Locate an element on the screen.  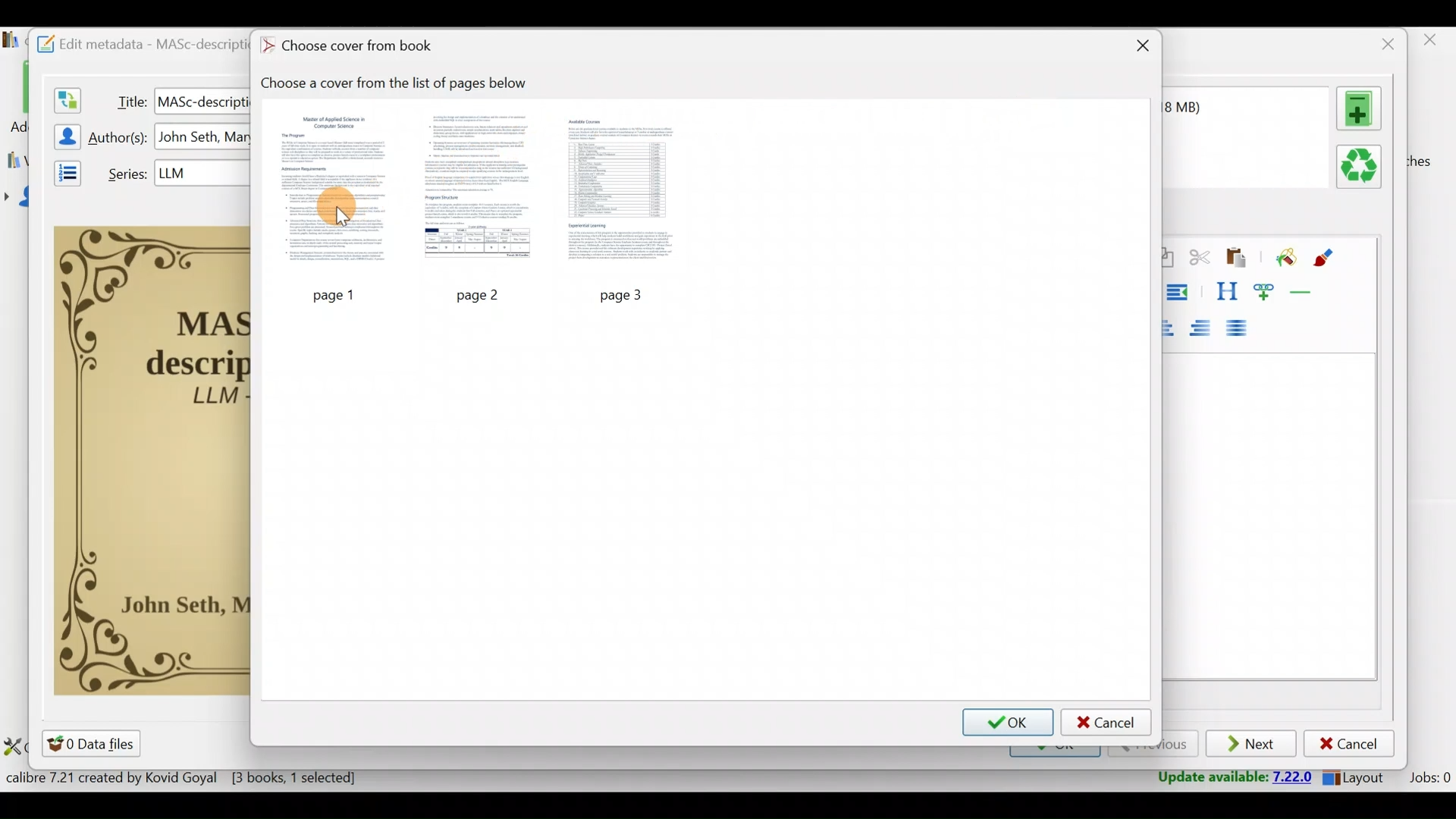
Swap the author and title is located at coordinates (66, 97).